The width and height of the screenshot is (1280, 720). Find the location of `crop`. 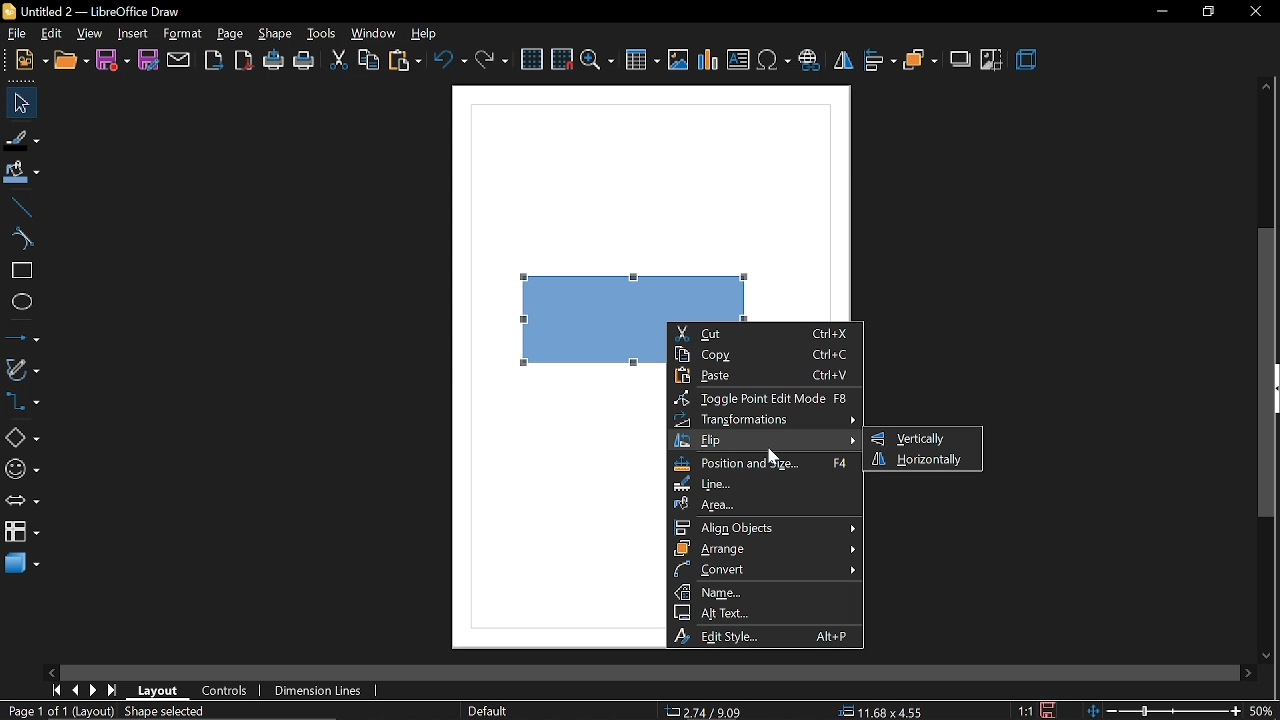

crop is located at coordinates (989, 61).